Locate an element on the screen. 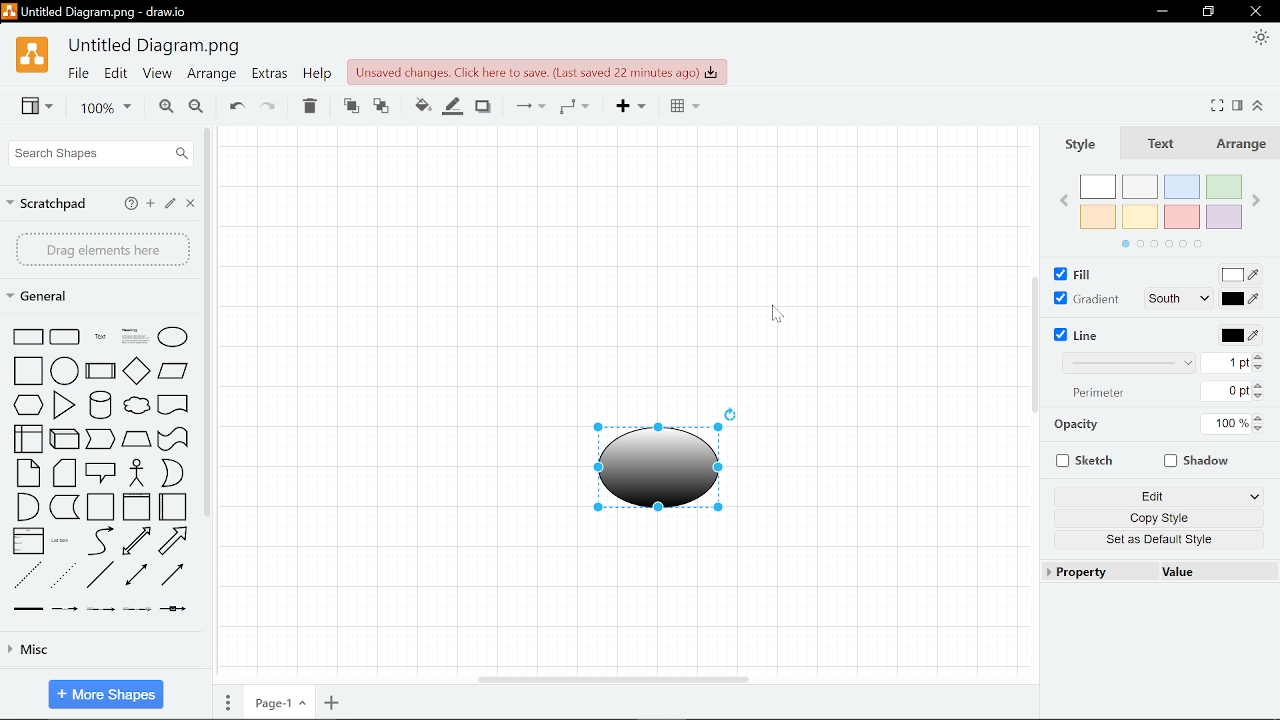  Insert is located at coordinates (628, 106).